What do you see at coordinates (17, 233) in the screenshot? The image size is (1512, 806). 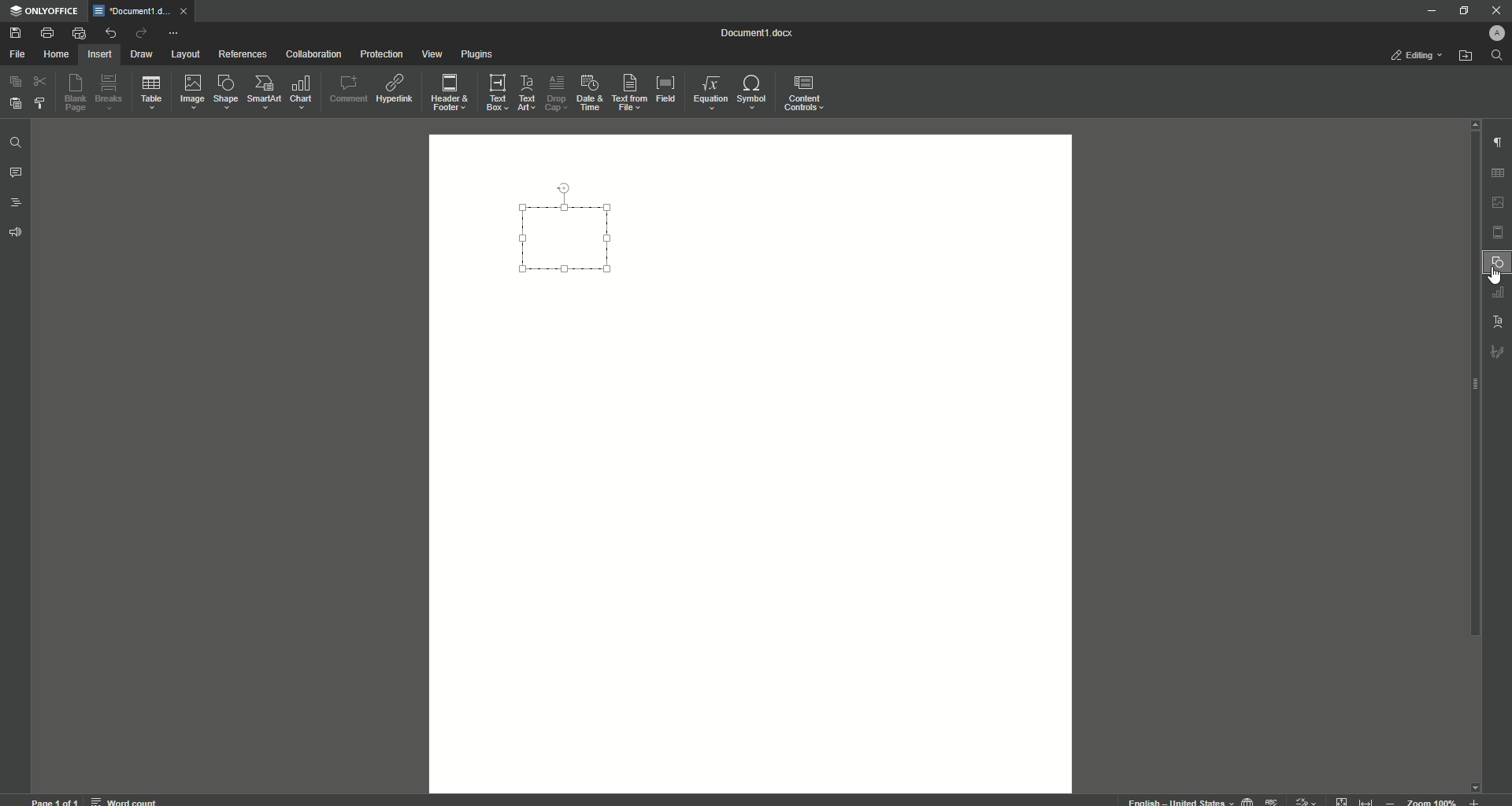 I see `Feedback` at bounding box center [17, 233].